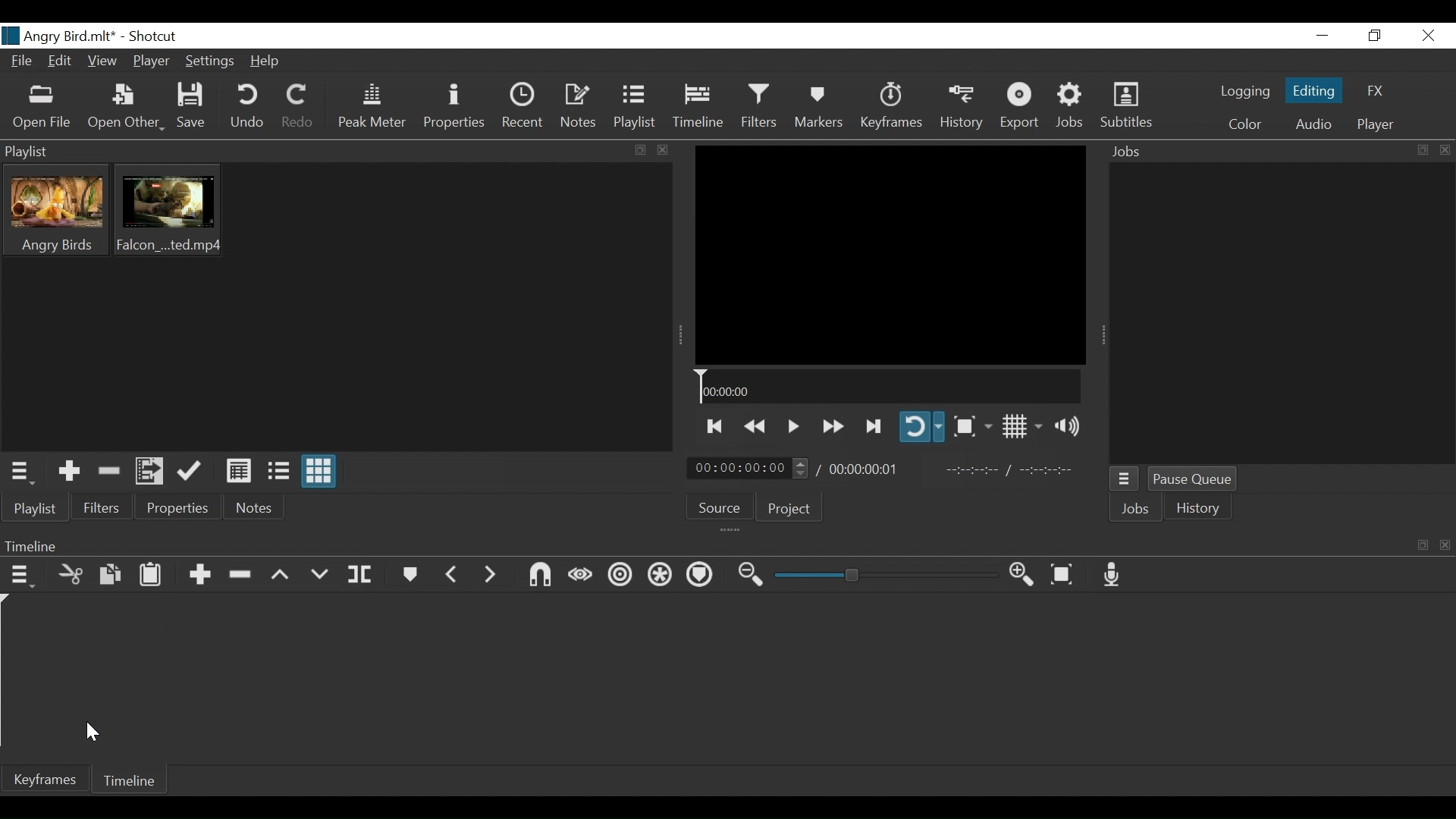  What do you see at coordinates (319, 576) in the screenshot?
I see `Overwrite` at bounding box center [319, 576].